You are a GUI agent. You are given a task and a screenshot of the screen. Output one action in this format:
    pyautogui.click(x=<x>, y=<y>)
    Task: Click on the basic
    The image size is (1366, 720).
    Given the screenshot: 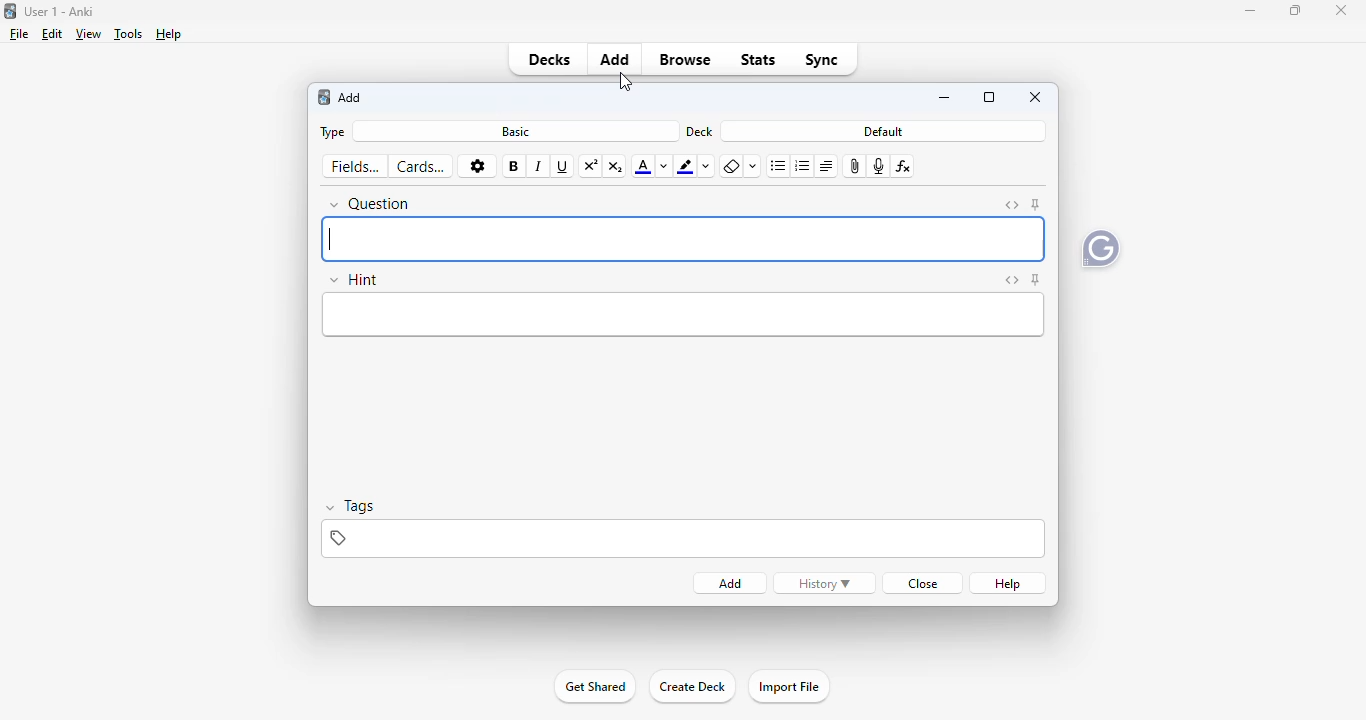 What is the action you would take?
    pyautogui.click(x=516, y=132)
    